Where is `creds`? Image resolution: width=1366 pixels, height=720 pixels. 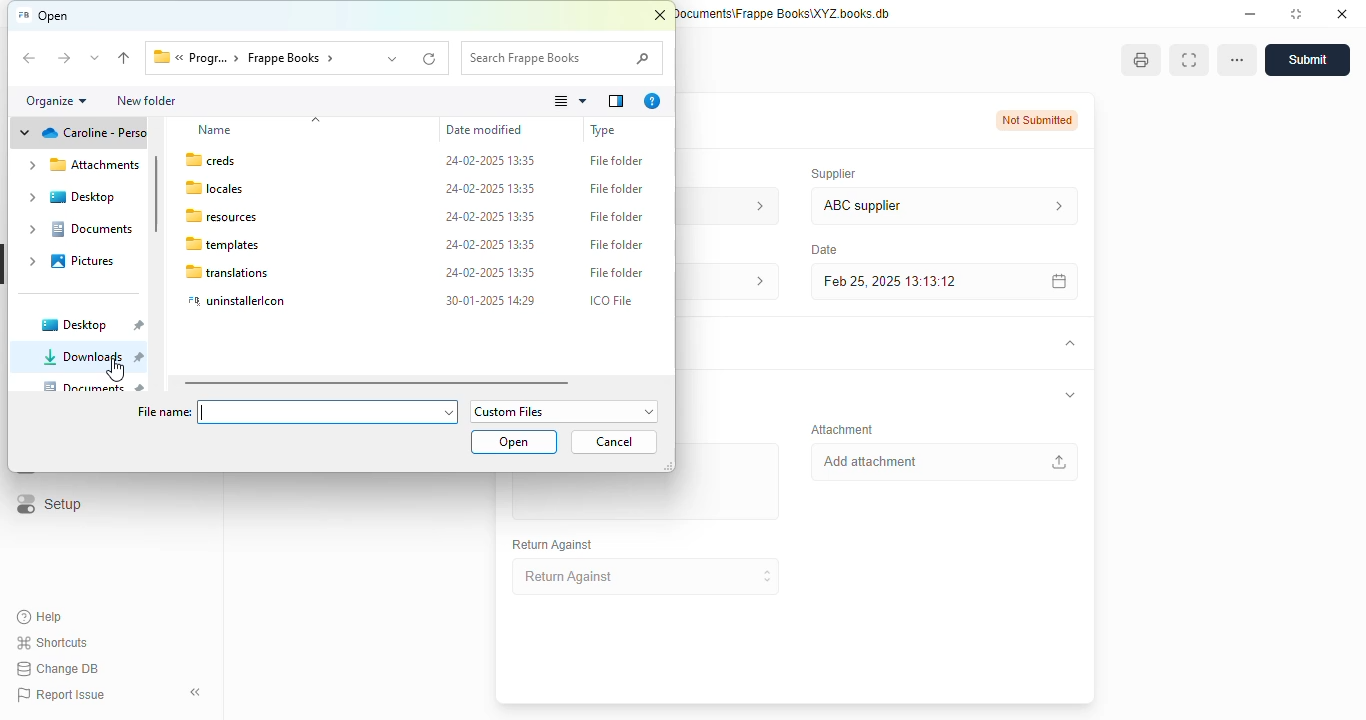 creds is located at coordinates (212, 160).